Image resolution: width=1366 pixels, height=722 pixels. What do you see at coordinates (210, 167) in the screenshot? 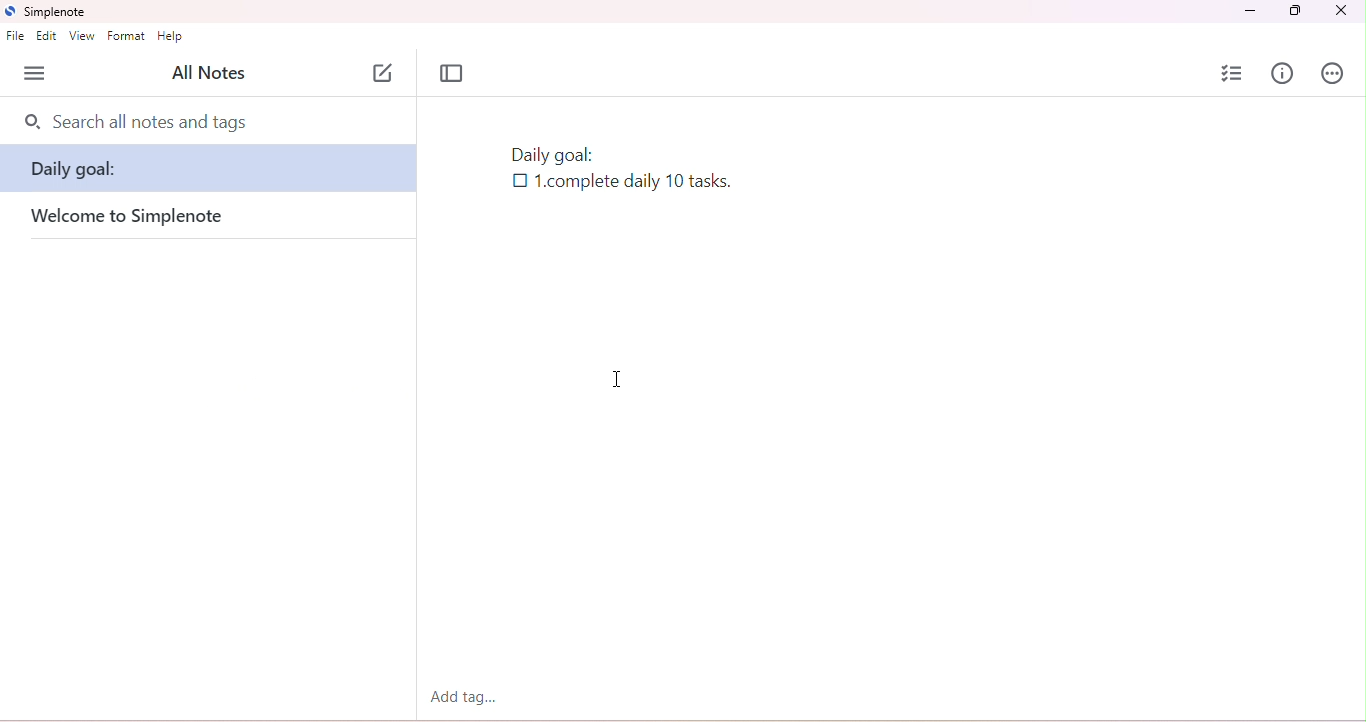
I see `note` at bounding box center [210, 167].